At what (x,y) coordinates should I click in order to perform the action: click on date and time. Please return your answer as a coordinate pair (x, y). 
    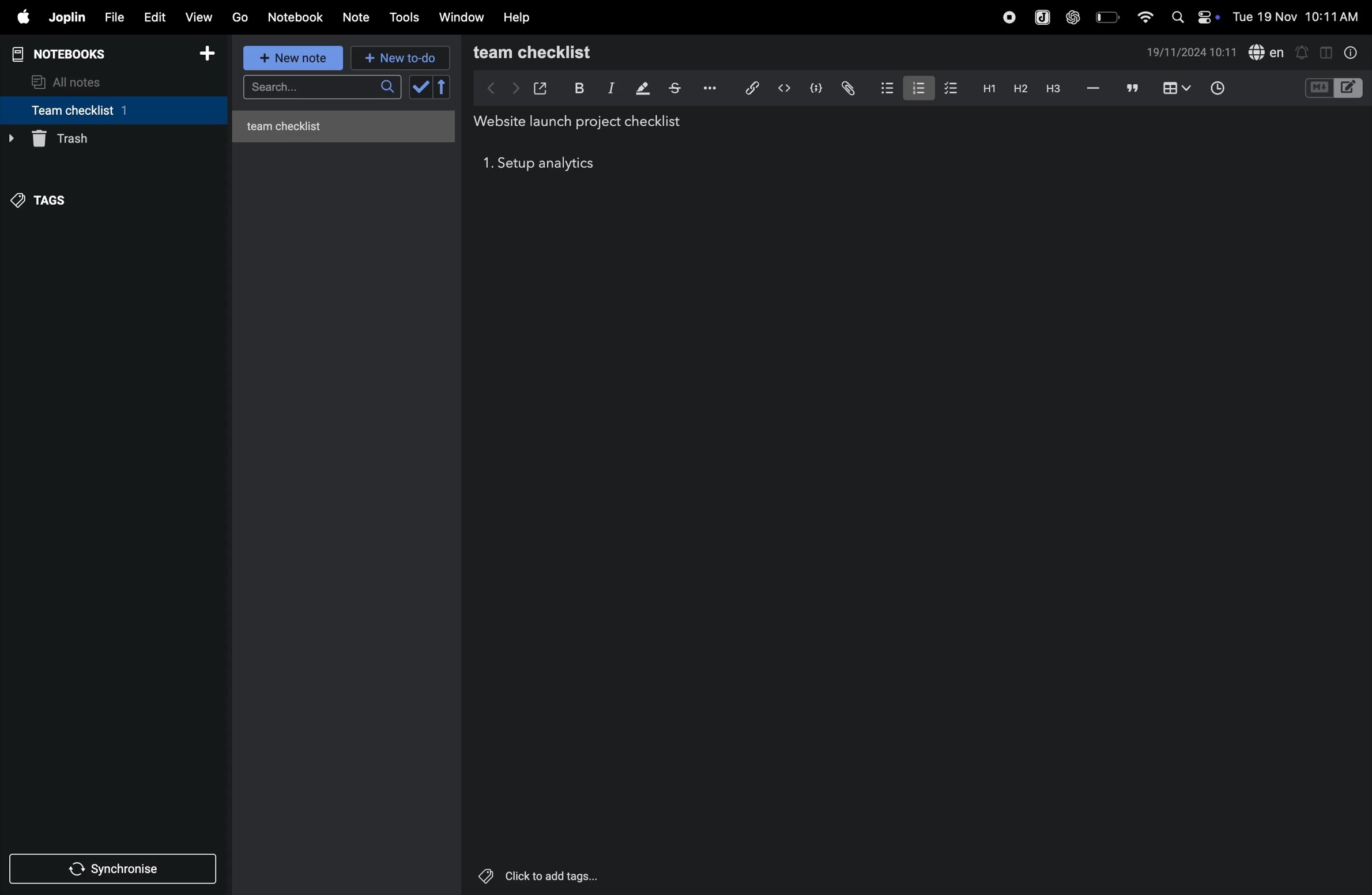
    Looking at the image, I should click on (1192, 54).